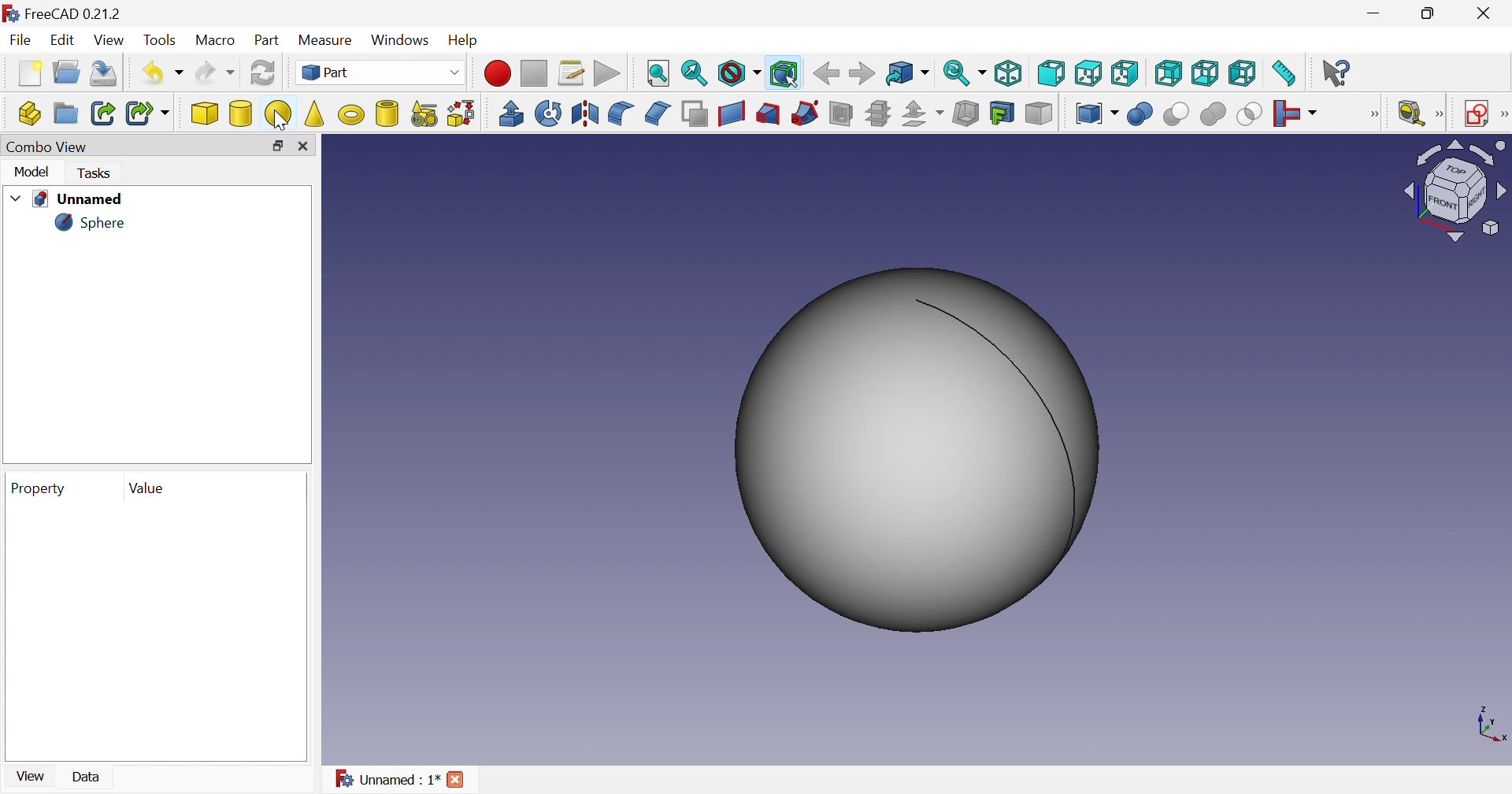 This screenshot has width=1512, height=794. What do you see at coordinates (549, 113) in the screenshot?
I see `Revolve...` at bounding box center [549, 113].